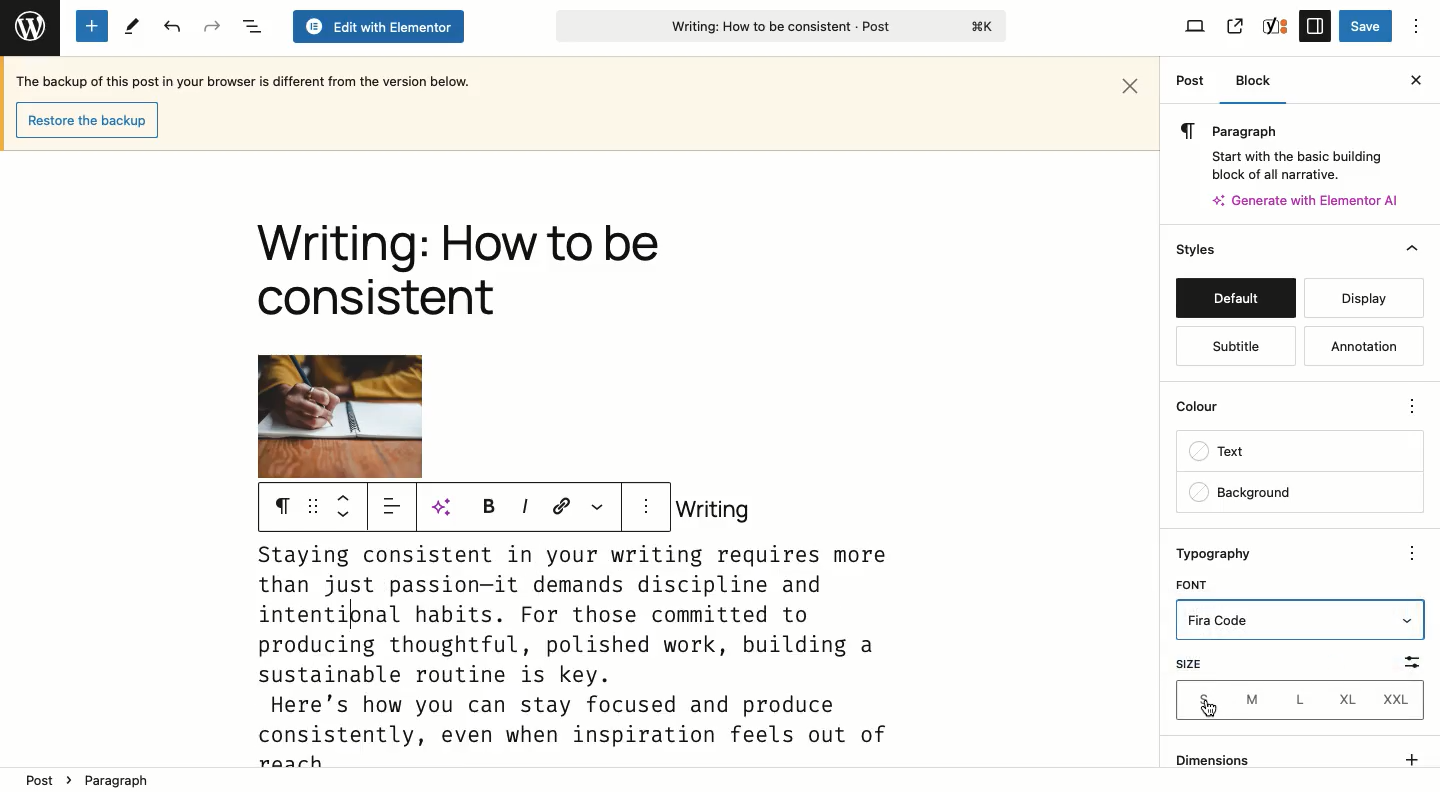  Describe the element at coordinates (1416, 553) in the screenshot. I see `More` at that location.